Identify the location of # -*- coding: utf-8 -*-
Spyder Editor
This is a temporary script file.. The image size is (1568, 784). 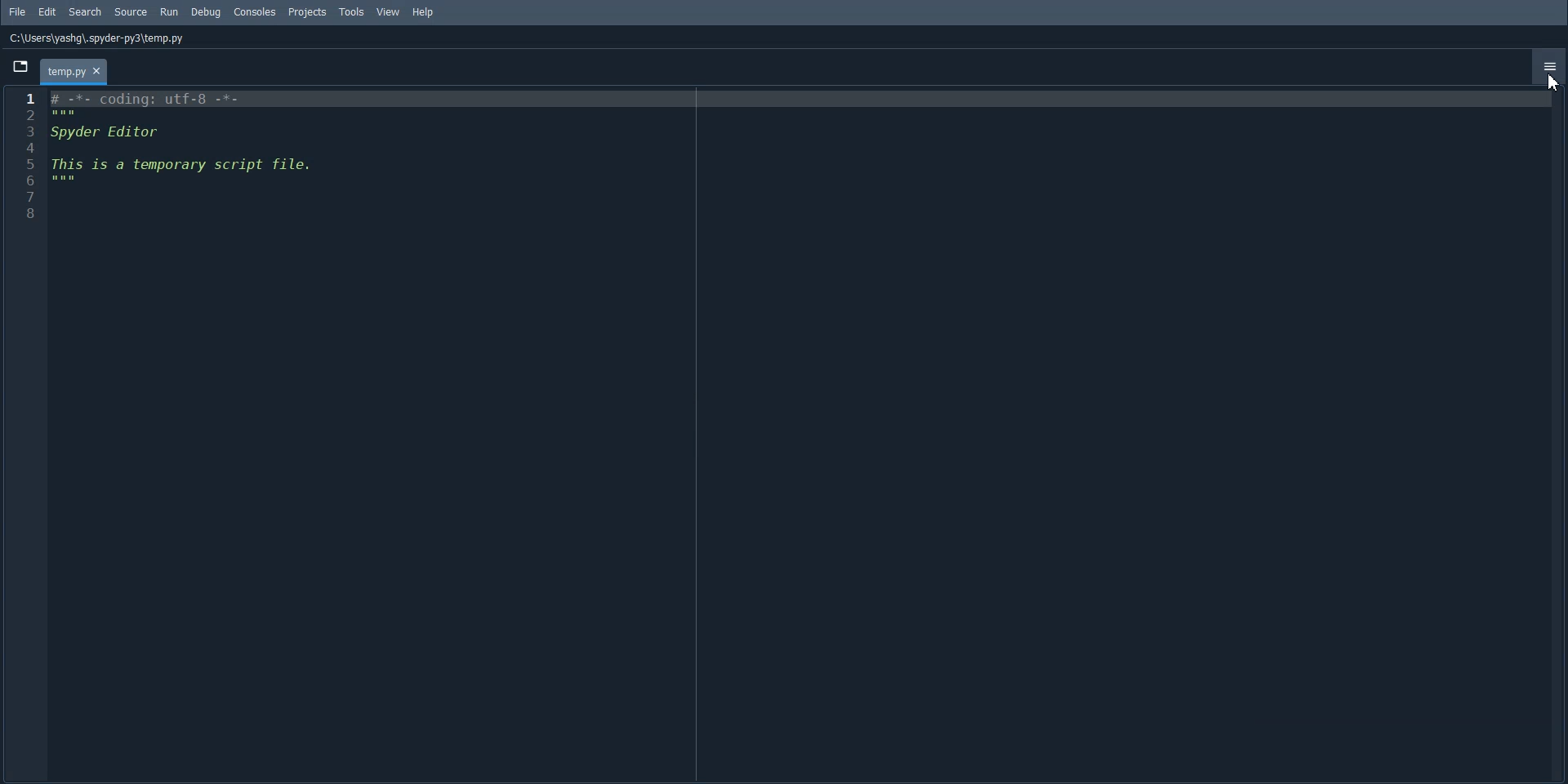
(184, 138).